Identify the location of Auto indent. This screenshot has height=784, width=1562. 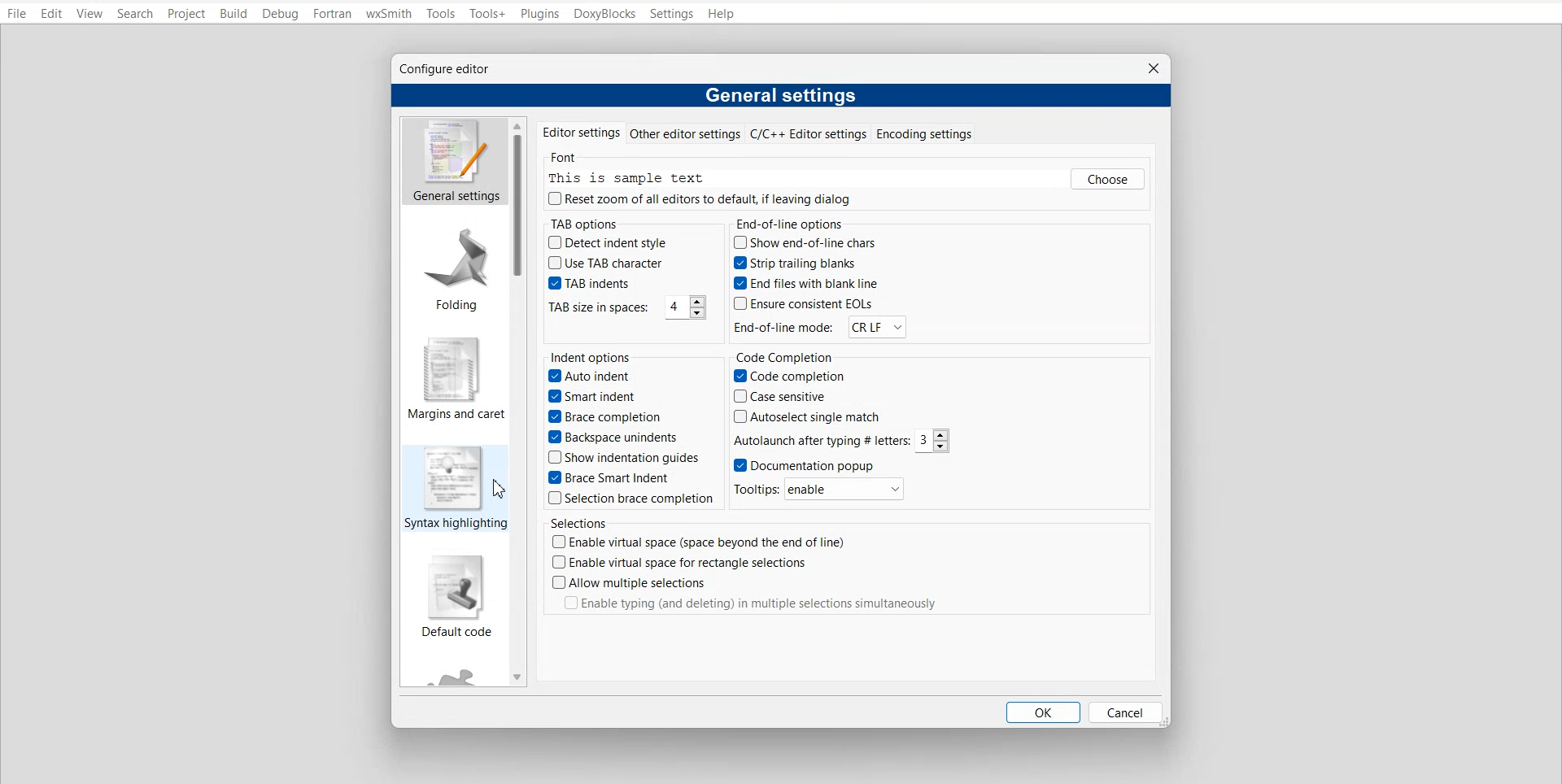
(592, 377).